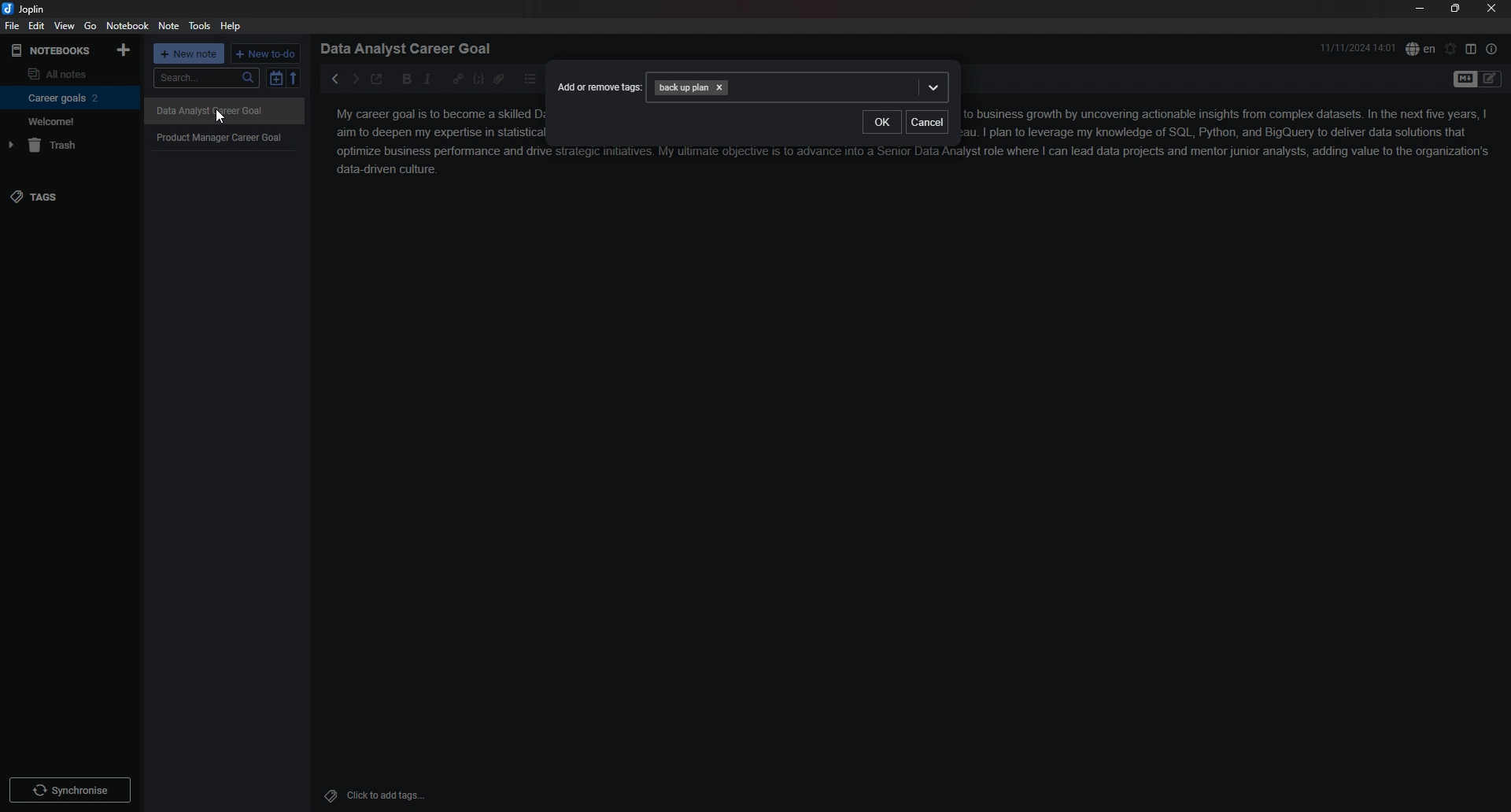  What do you see at coordinates (25, 9) in the screenshot?
I see `joplin` at bounding box center [25, 9].